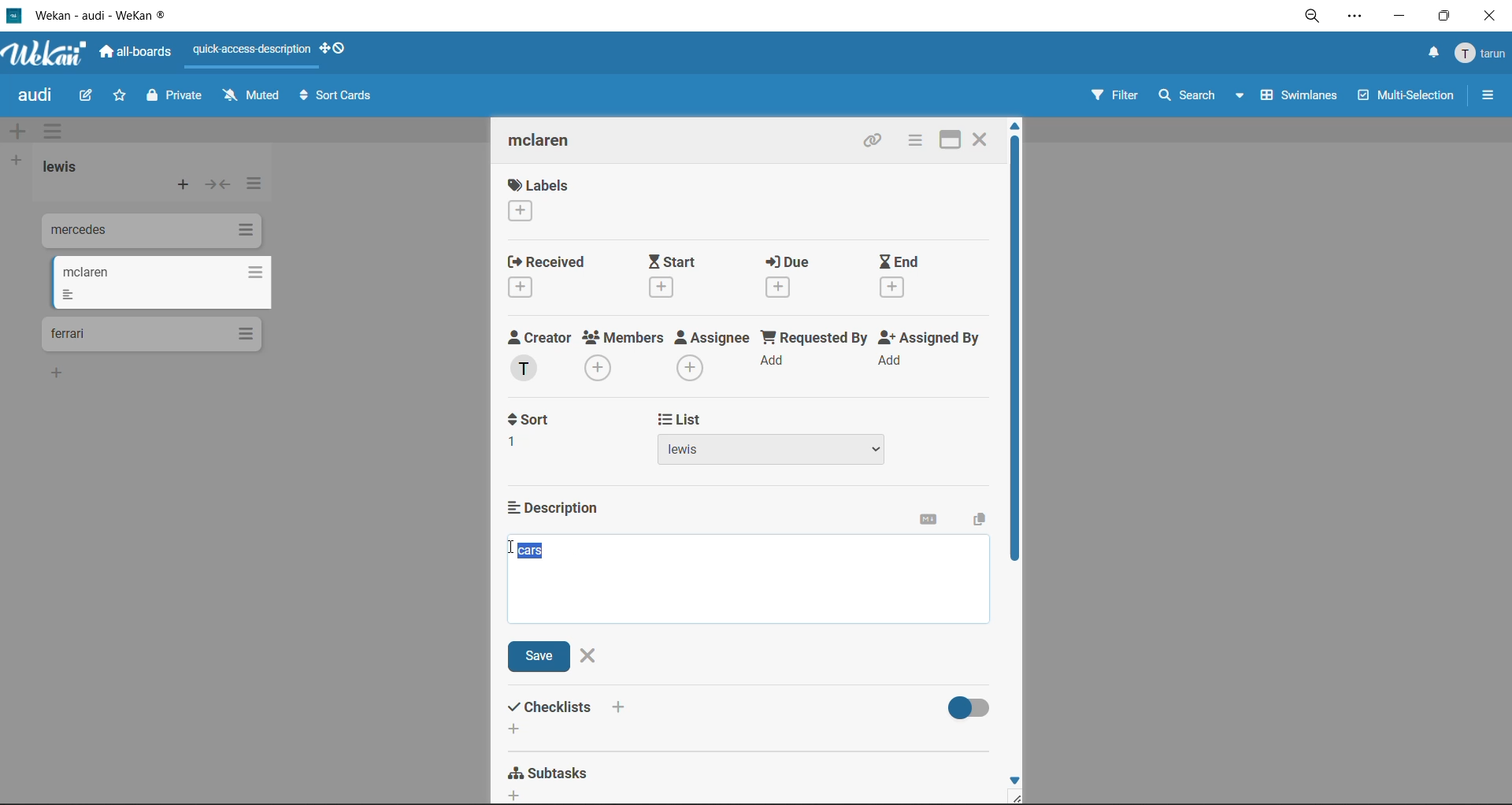  I want to click on notifications, so click(1431, 55).